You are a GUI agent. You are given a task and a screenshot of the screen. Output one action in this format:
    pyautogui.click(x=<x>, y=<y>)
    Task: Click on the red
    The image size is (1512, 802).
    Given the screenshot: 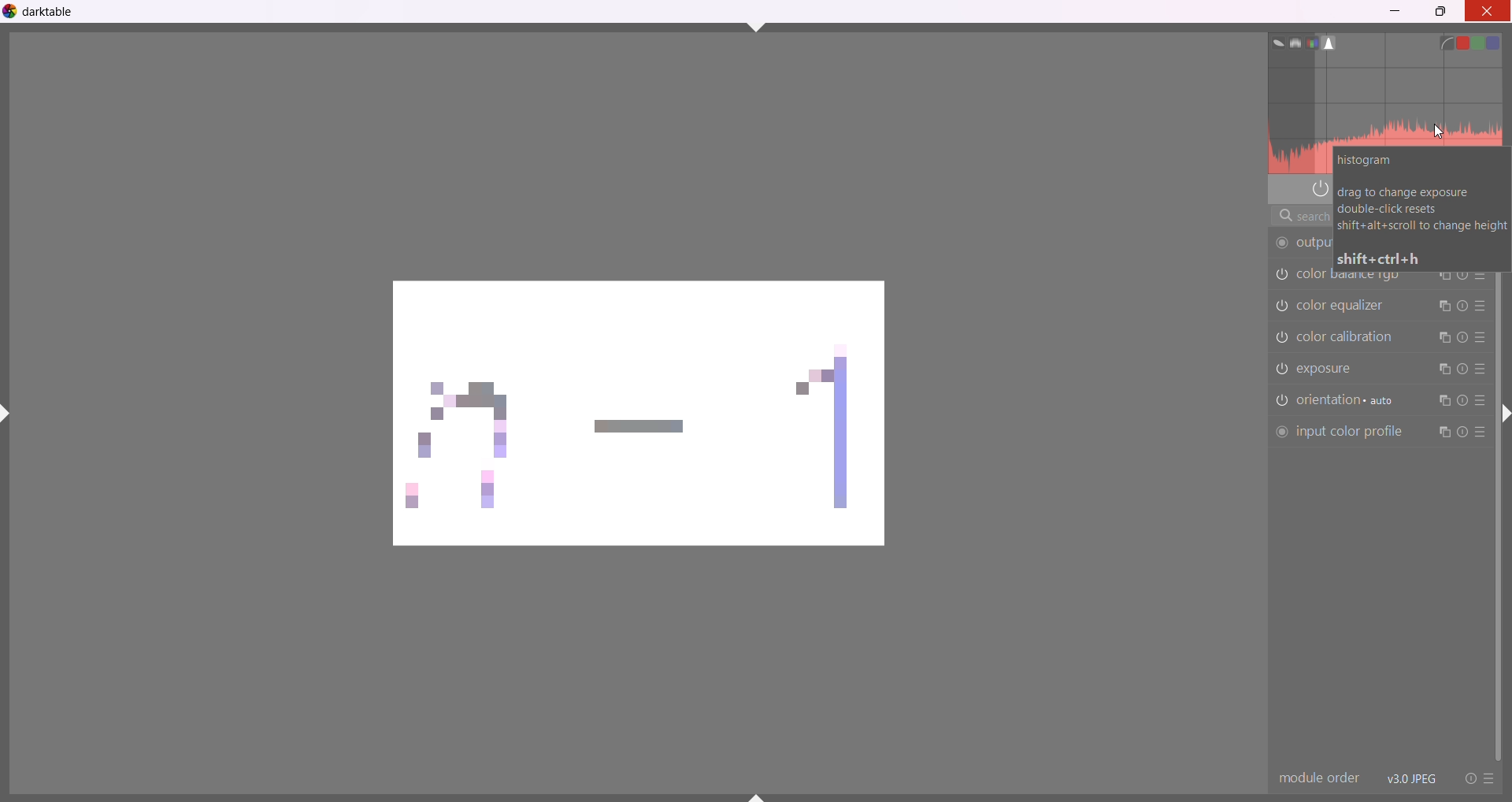 What is the action you would take?
    pyautogui.click(x=1465, y=39)
    